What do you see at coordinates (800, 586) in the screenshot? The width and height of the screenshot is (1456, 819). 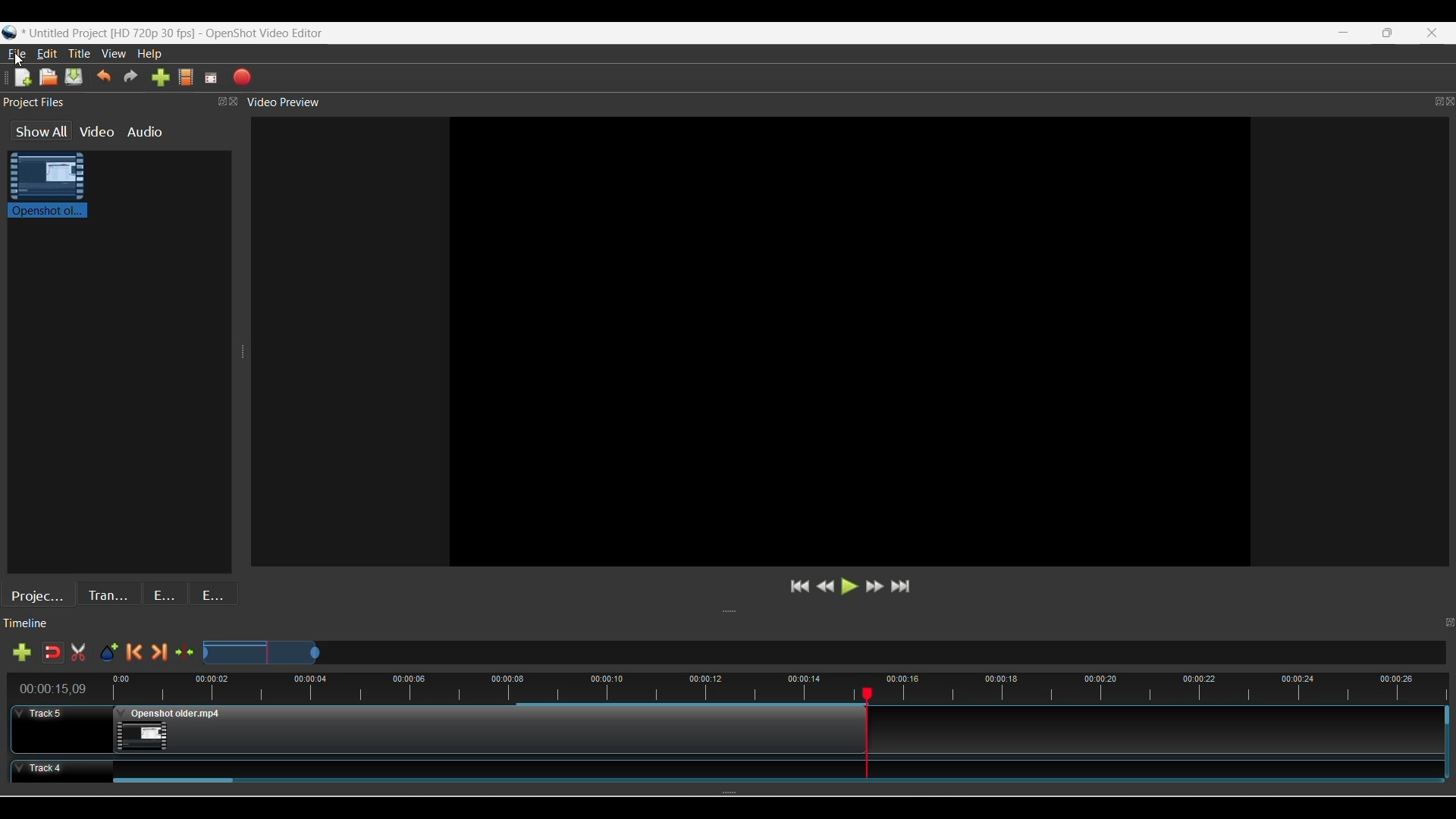 I see `Jump to start` at bounding box center [800, 586].